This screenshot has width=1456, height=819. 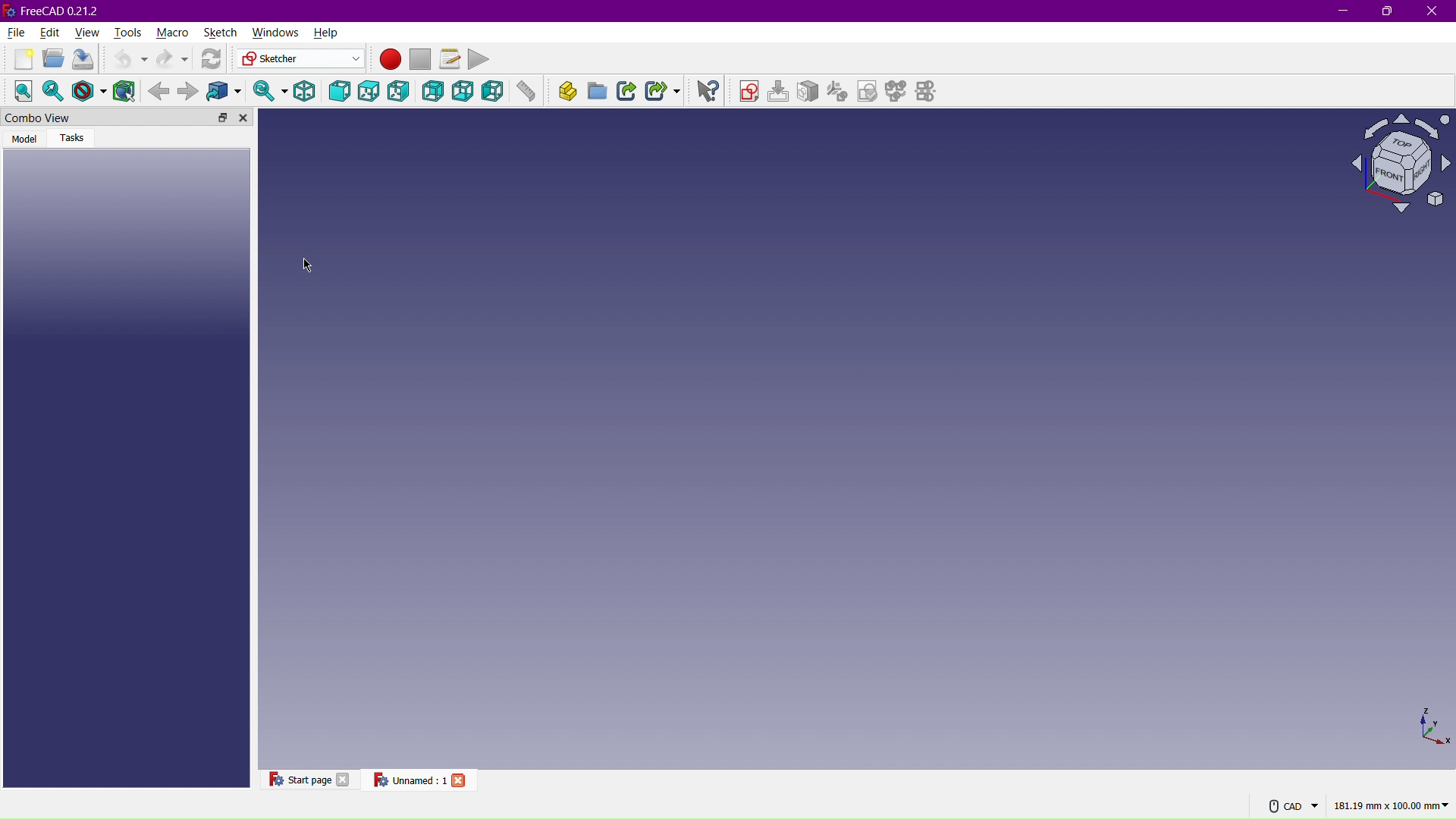 What do you see at coordinates (930, 94) in the screenshot?
I see `Mirror sketch` at bounding box center [930, 94].